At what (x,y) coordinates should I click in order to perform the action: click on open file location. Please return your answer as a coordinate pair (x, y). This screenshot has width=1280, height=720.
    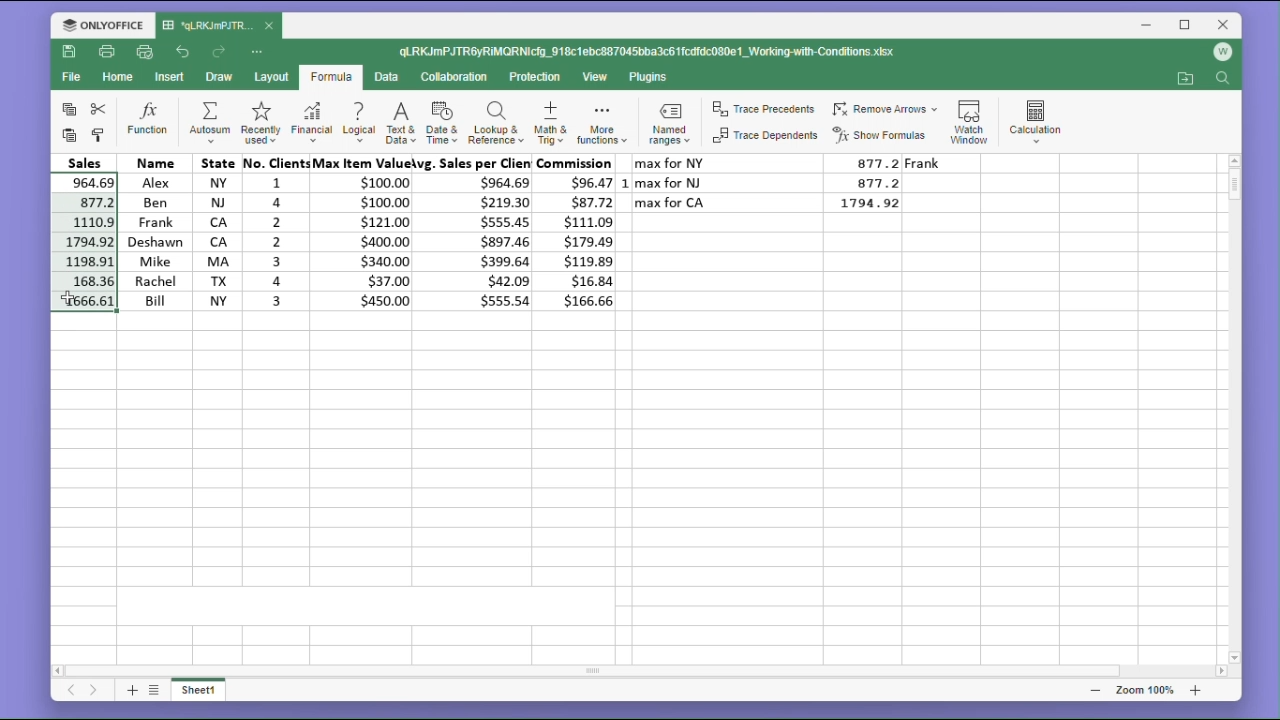
    Looking at the image, I should click on (1185, 79).